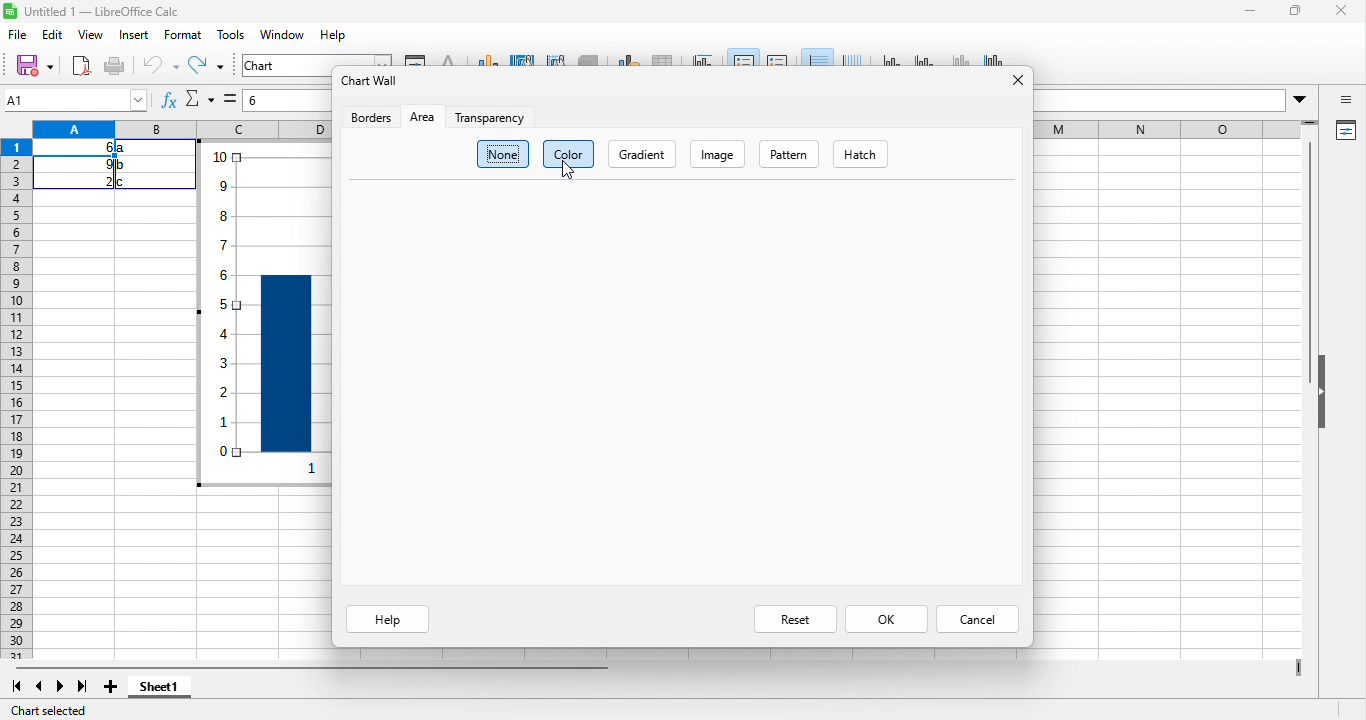  Describe the element at coordinates (85, 688) in the screenshot. I see `last` at that location.